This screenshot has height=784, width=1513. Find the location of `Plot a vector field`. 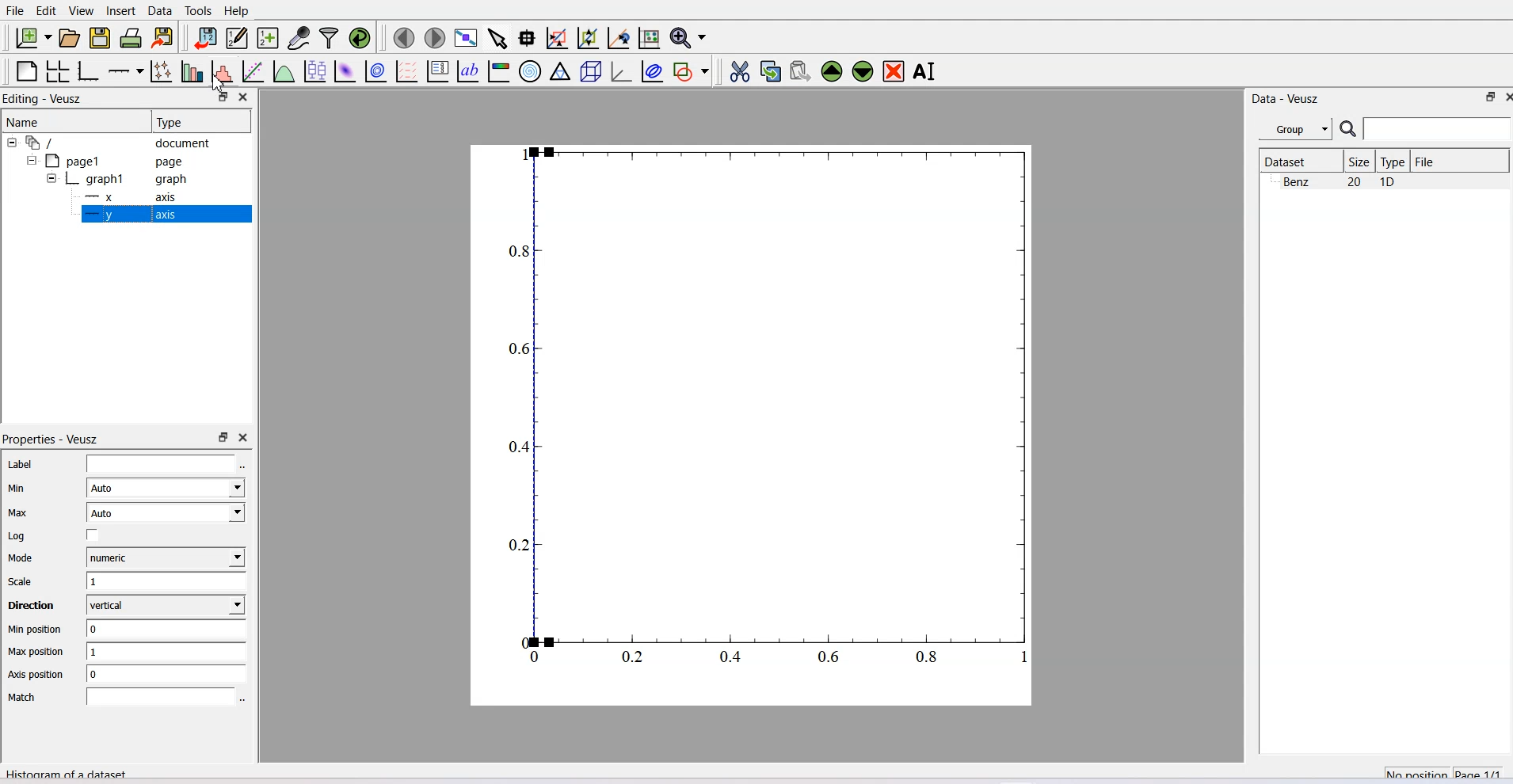

Plot a vector field is located at coordinates (407, 71).